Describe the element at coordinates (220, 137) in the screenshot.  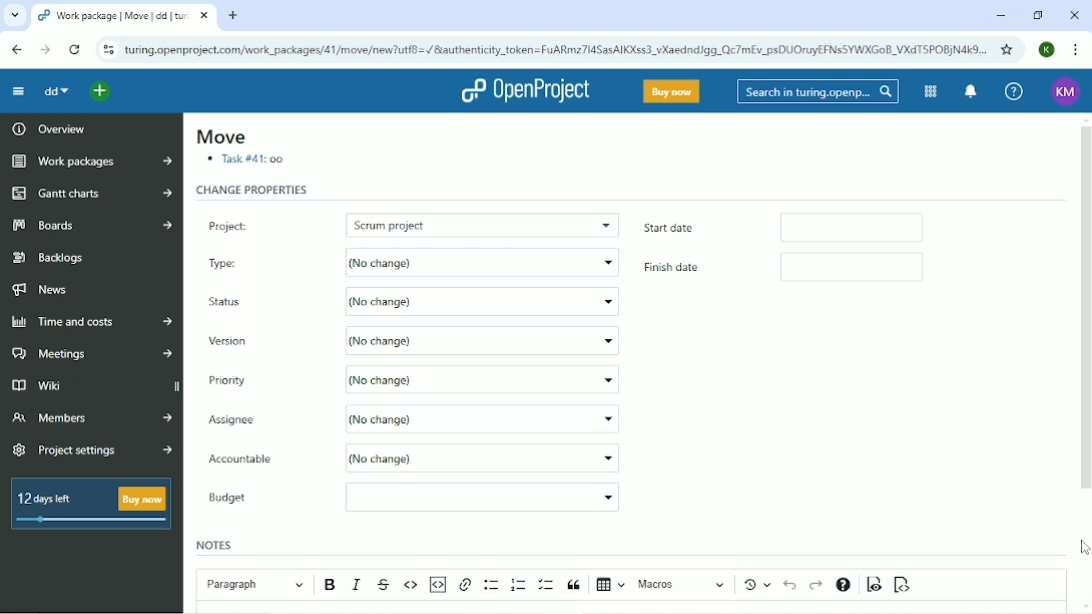
I see `Move` at that location.